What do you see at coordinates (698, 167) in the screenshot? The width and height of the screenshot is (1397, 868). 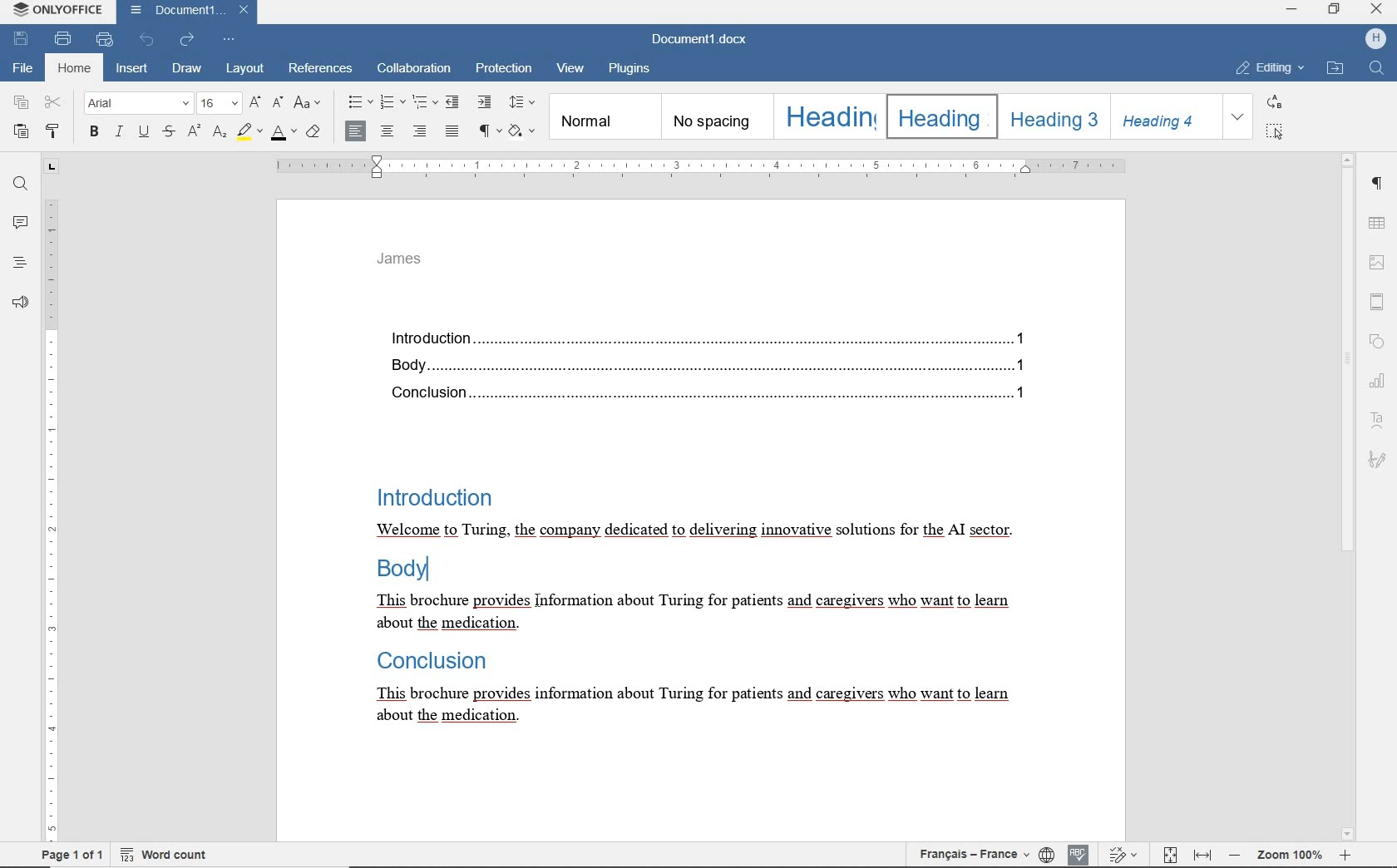 I see `RULER` at bounding box center [698, 167].